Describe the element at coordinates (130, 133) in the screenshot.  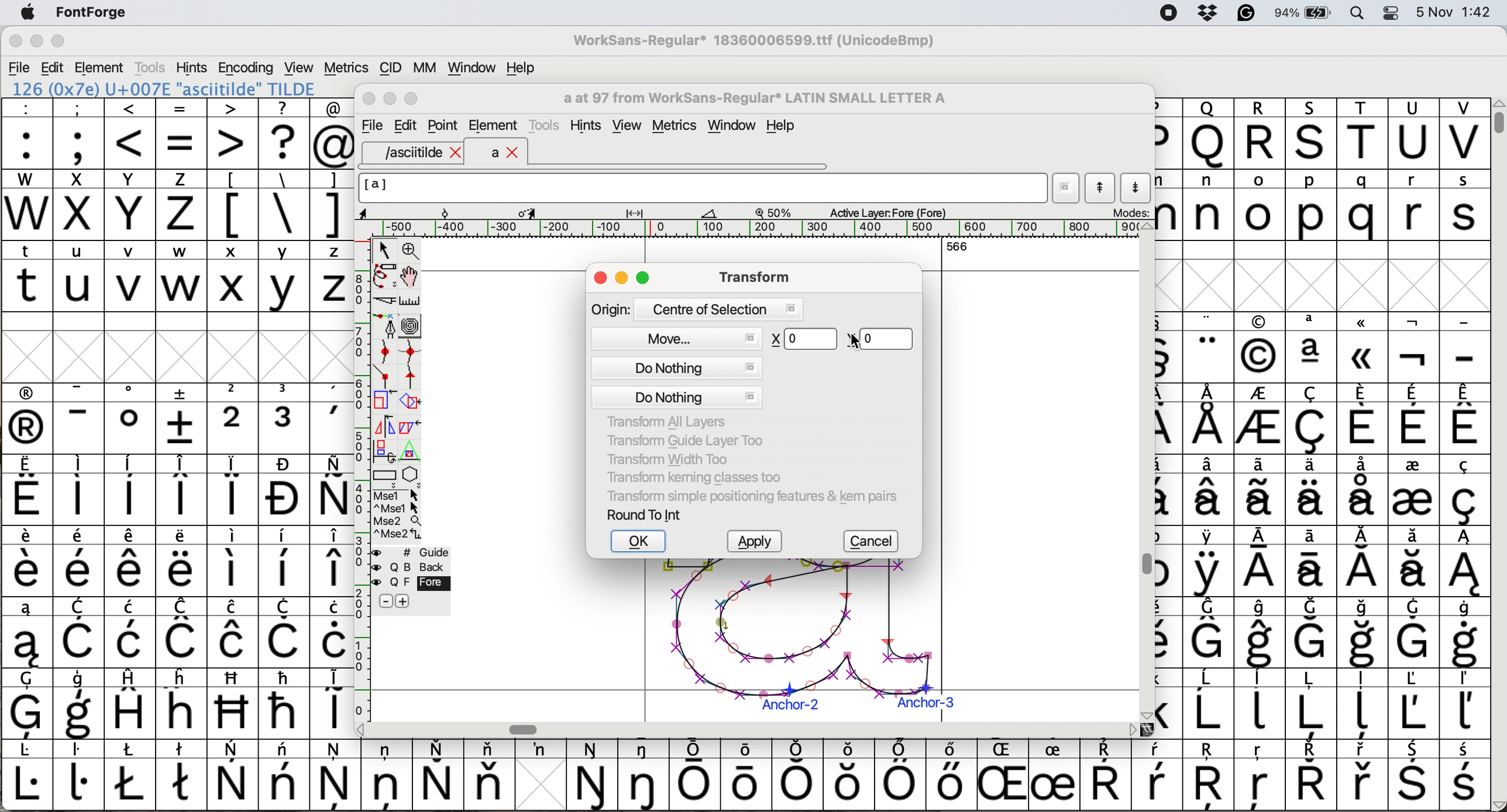
I see `<` at that location.